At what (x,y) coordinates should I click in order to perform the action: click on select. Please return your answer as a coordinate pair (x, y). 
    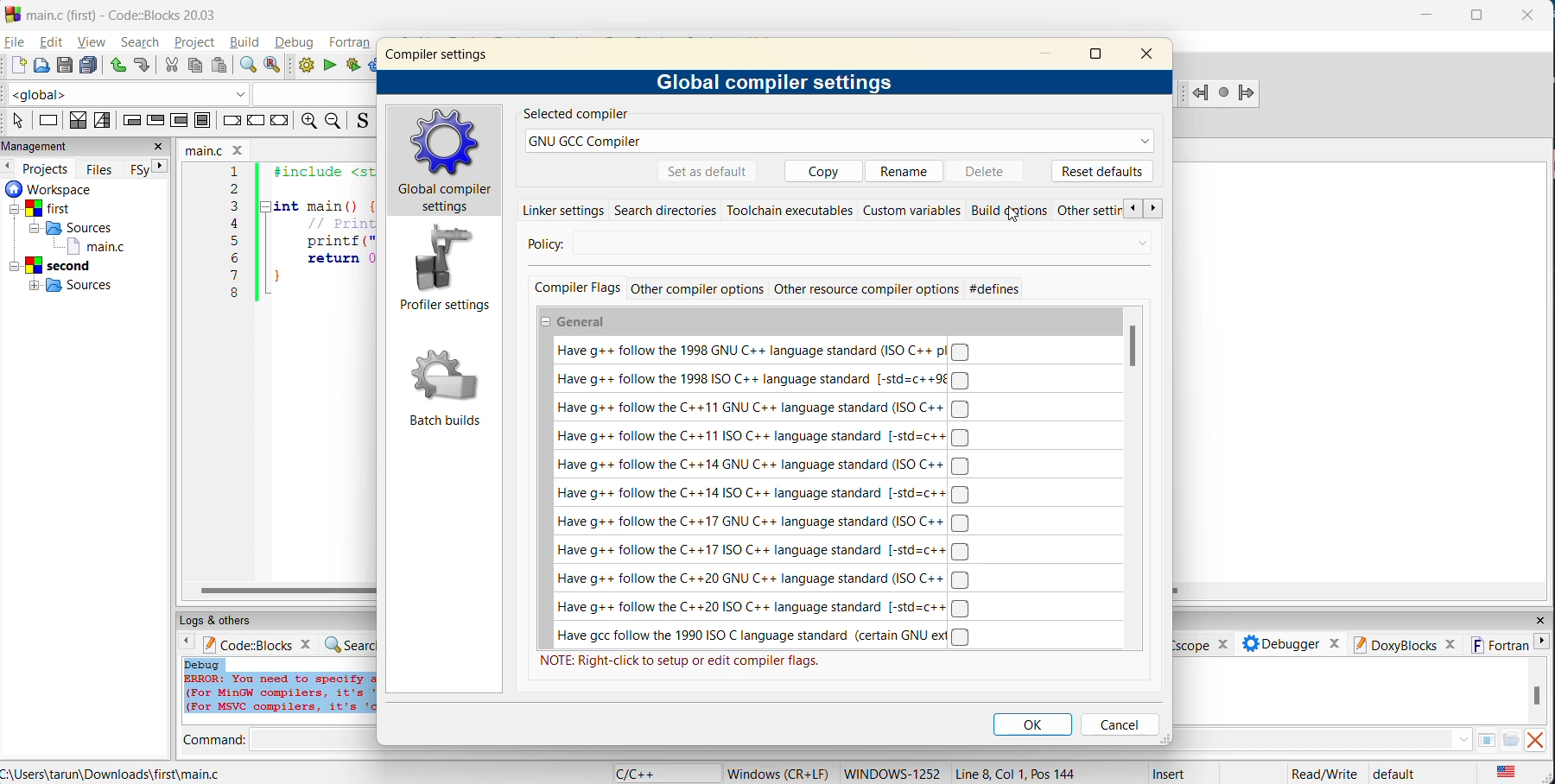
    Looking at the image, I should click on (18, 122).